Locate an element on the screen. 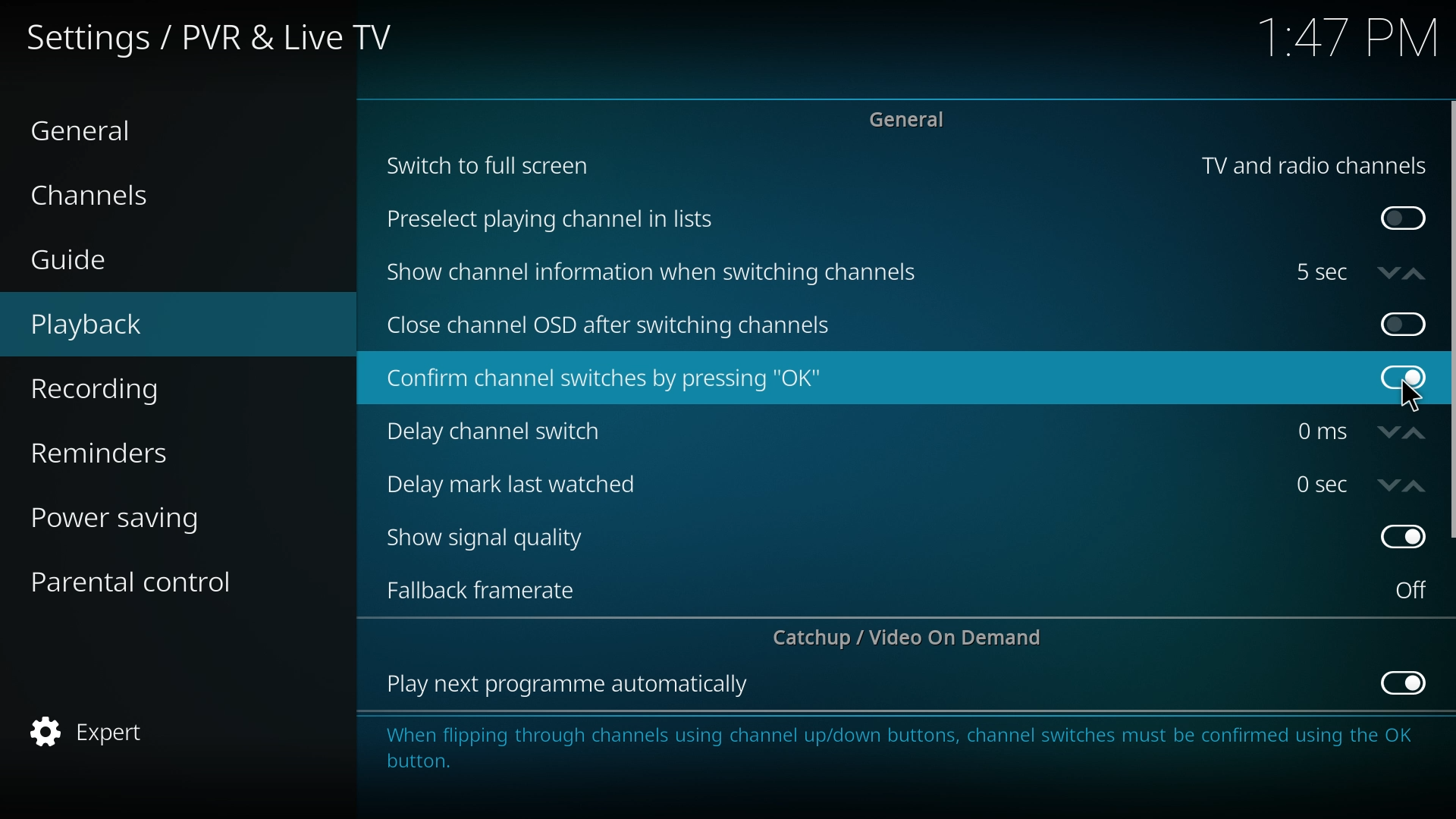  on is located at coordinates (1404, 219).